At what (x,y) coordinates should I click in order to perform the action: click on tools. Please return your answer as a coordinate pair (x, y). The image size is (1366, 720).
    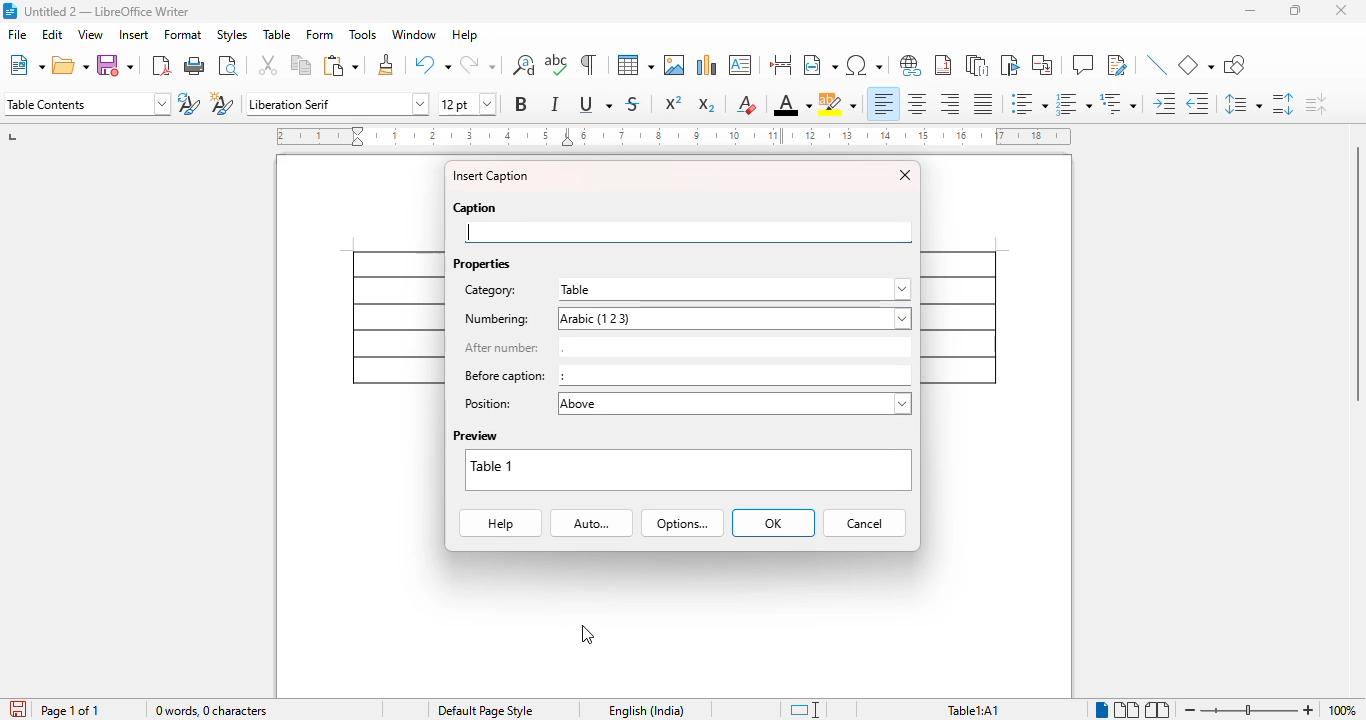
    Looking at the image, I should click on (363, 34).